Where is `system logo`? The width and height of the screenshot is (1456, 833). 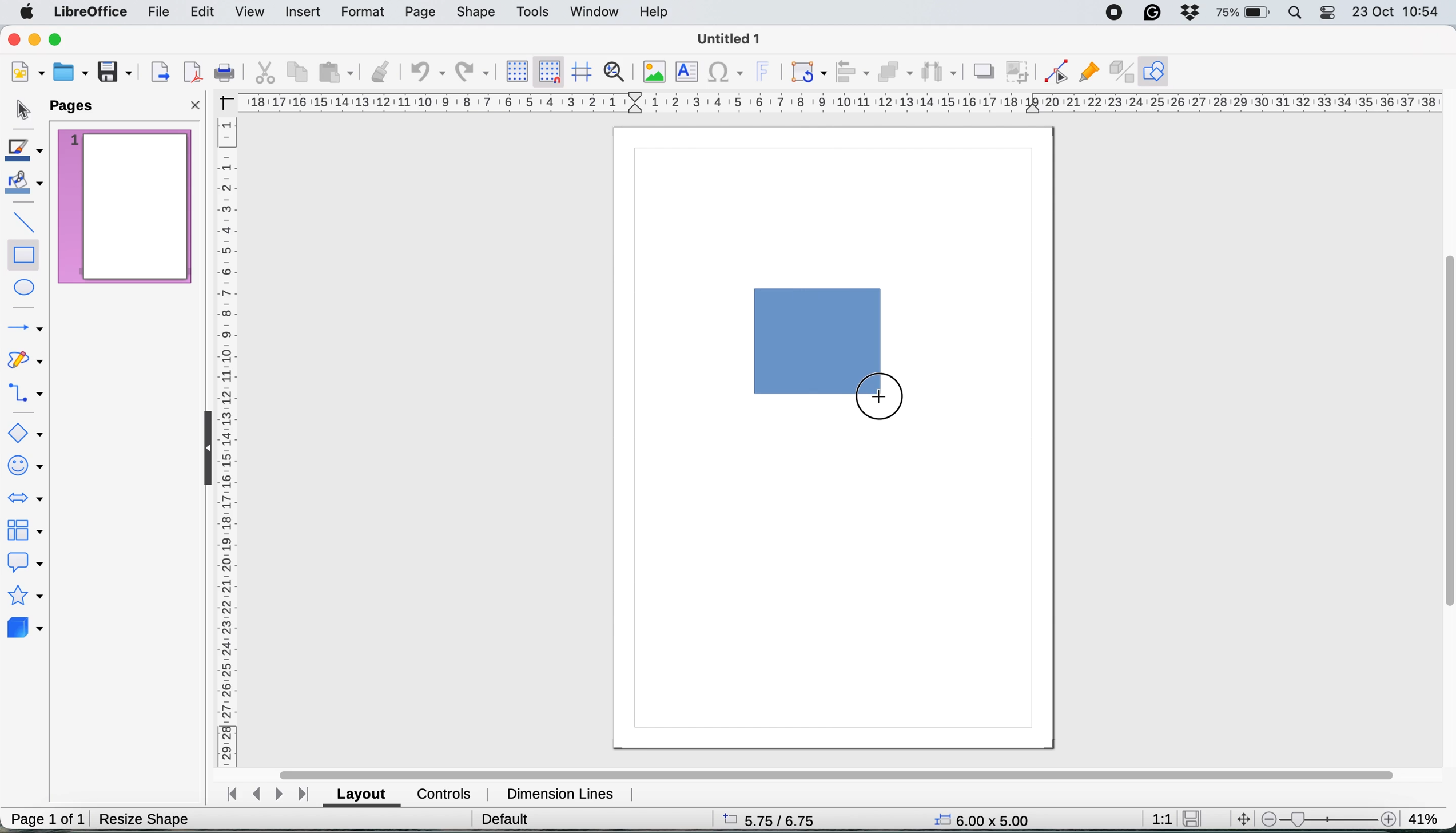 system logo is located at coordinates (24, 15).